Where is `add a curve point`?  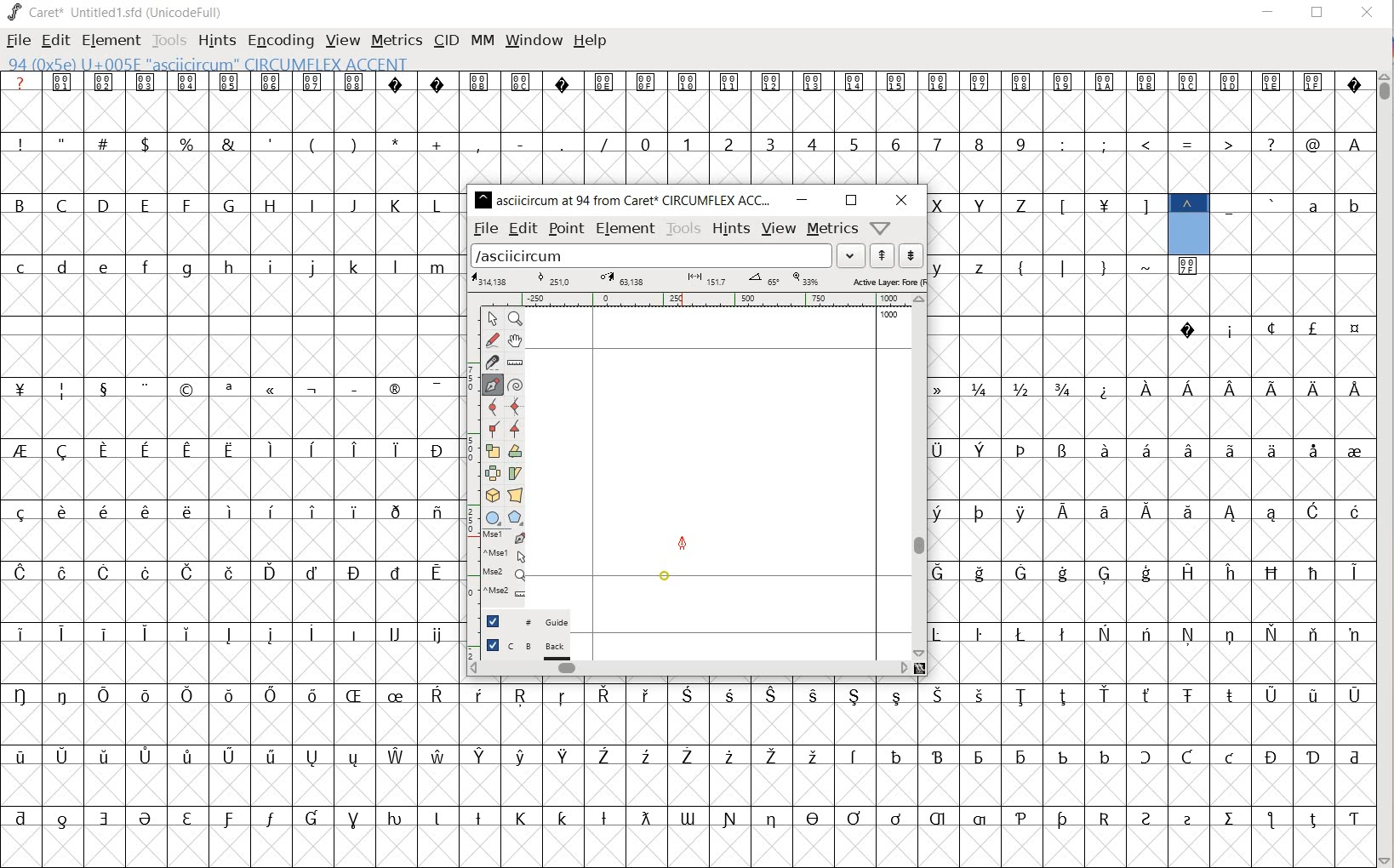 add a curve point is located at coordinates (494, 408).